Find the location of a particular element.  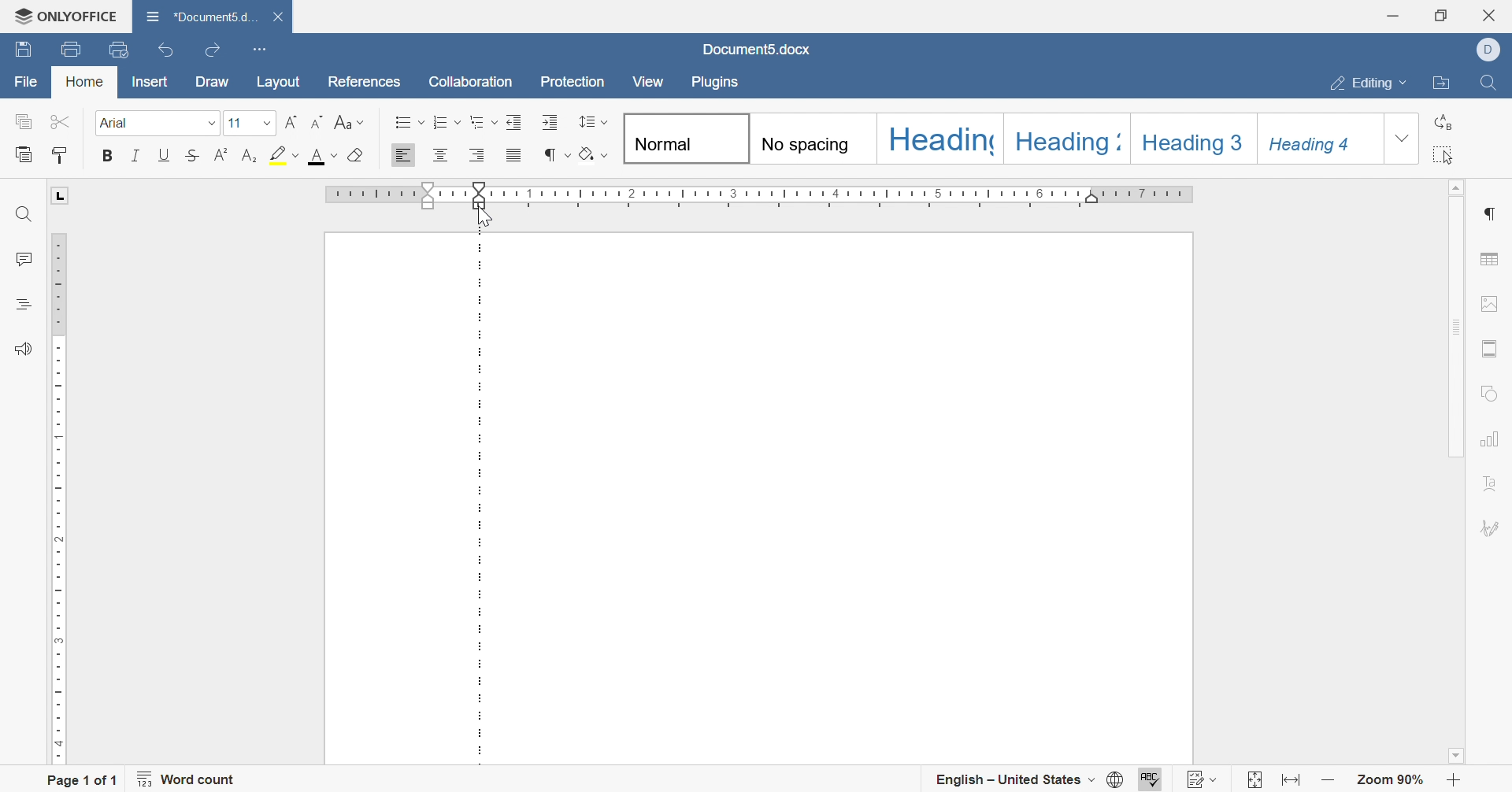

layout is located at coordinates (281, 81).